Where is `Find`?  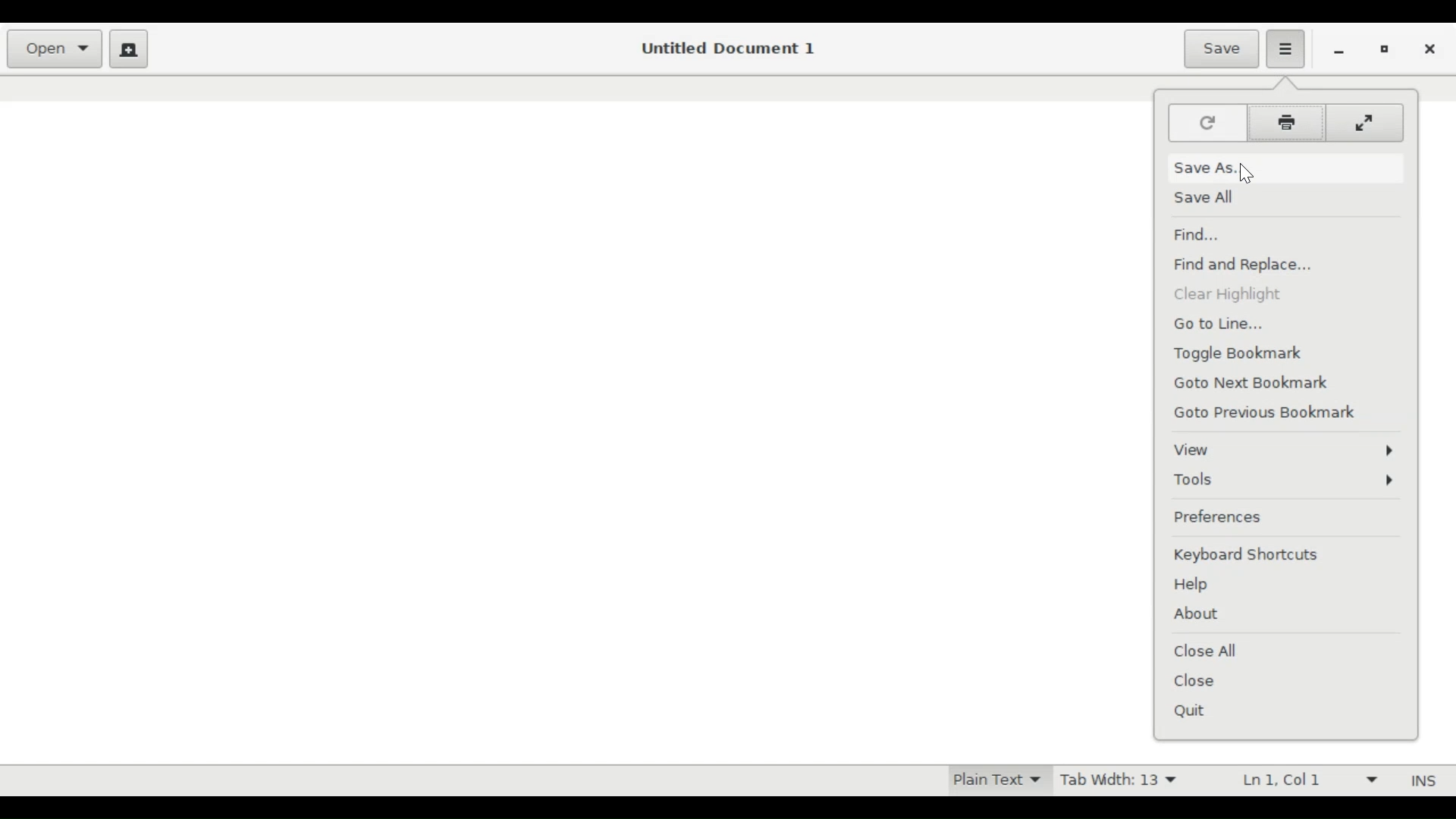 Find is located at coordinates (1203, 233).